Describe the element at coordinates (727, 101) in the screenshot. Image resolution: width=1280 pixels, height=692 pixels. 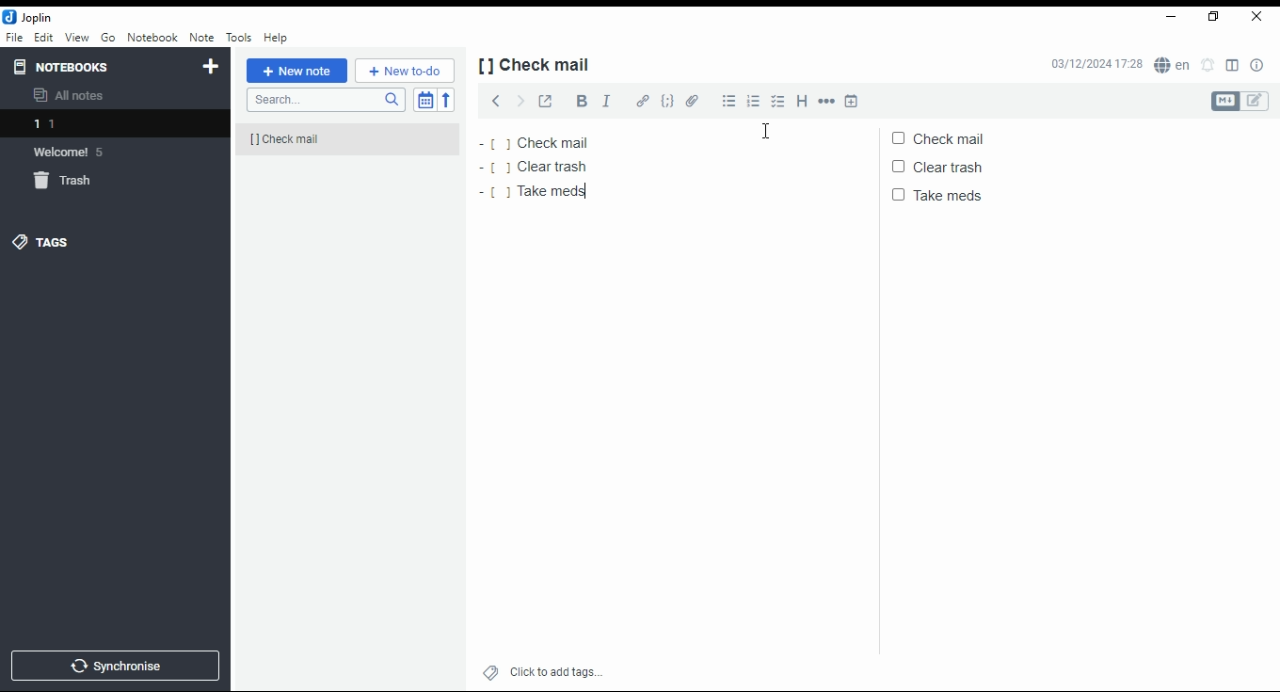
I see `bulleted list` at that location.